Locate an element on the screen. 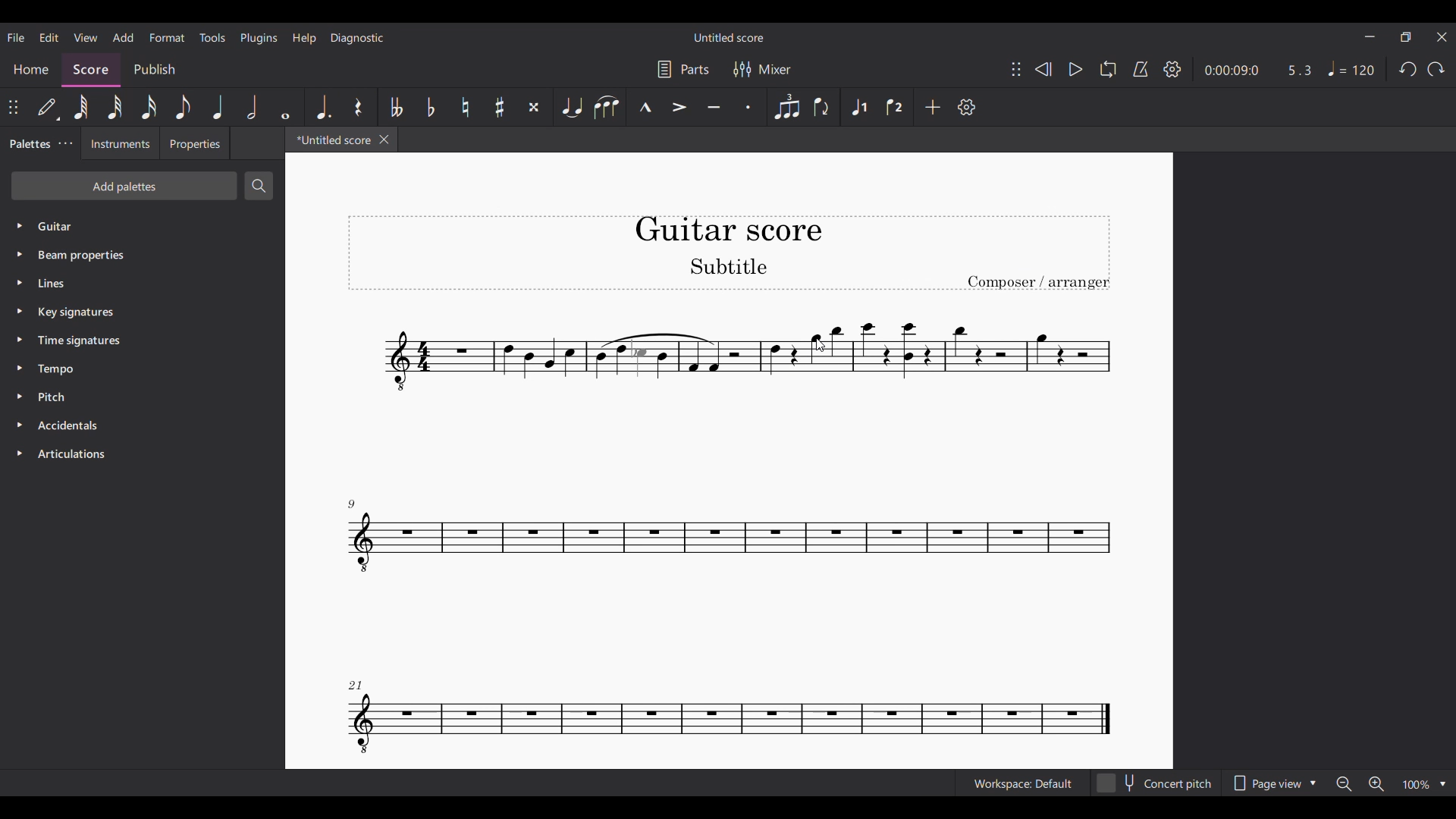  32nd note is located at coordinates (115, 107).